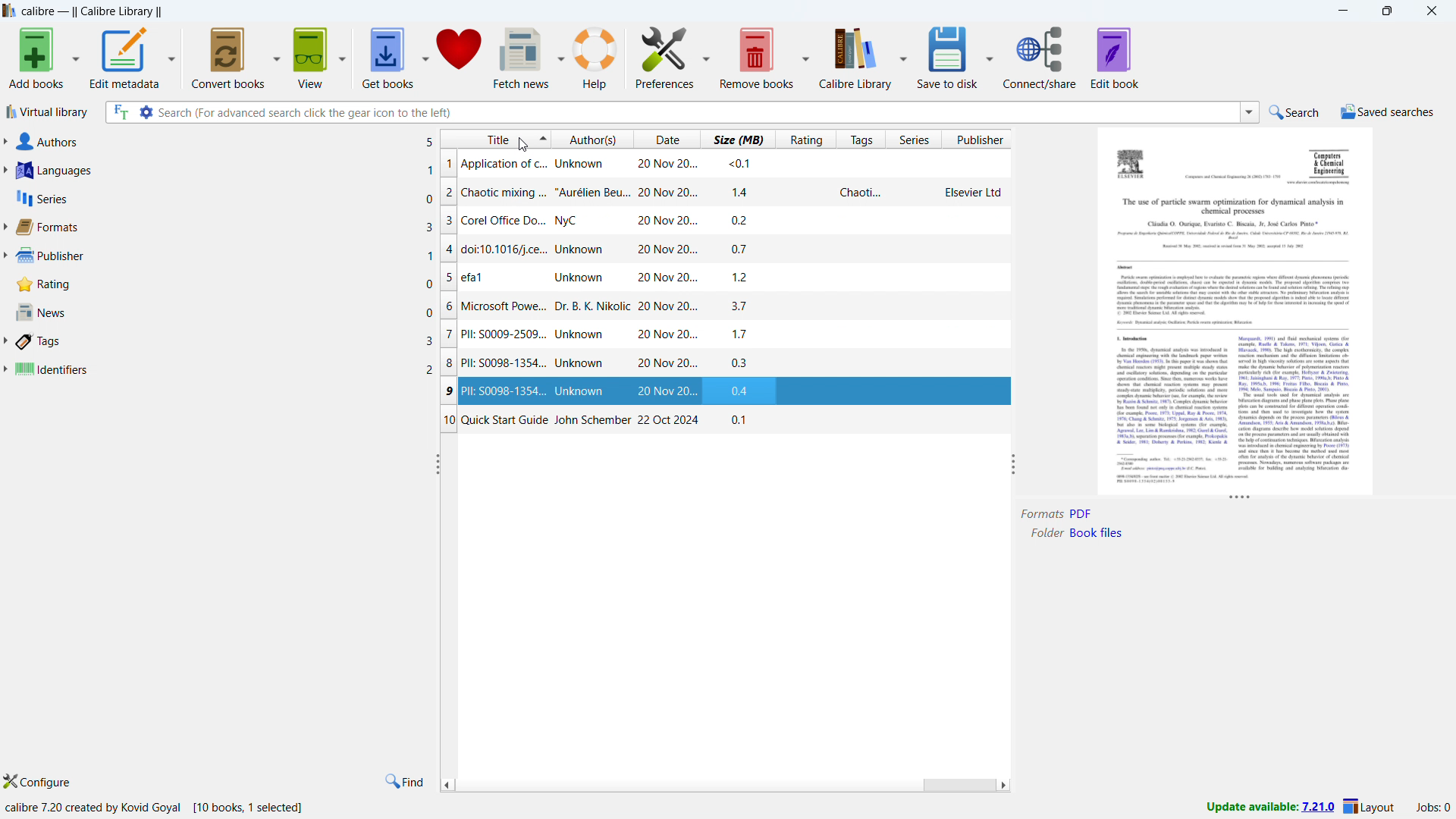  I want to click on logo, so click(9, 11).